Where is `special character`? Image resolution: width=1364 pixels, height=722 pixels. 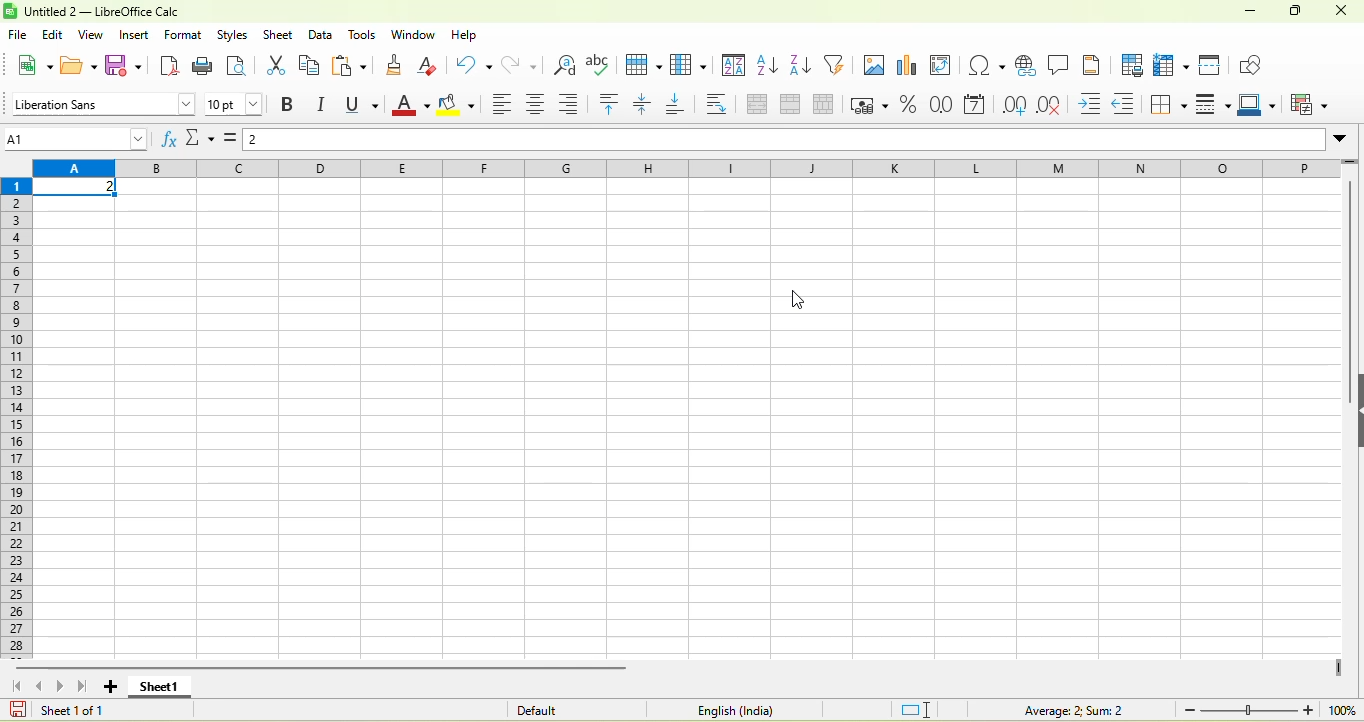
special character is located at coordinates (986, 65).